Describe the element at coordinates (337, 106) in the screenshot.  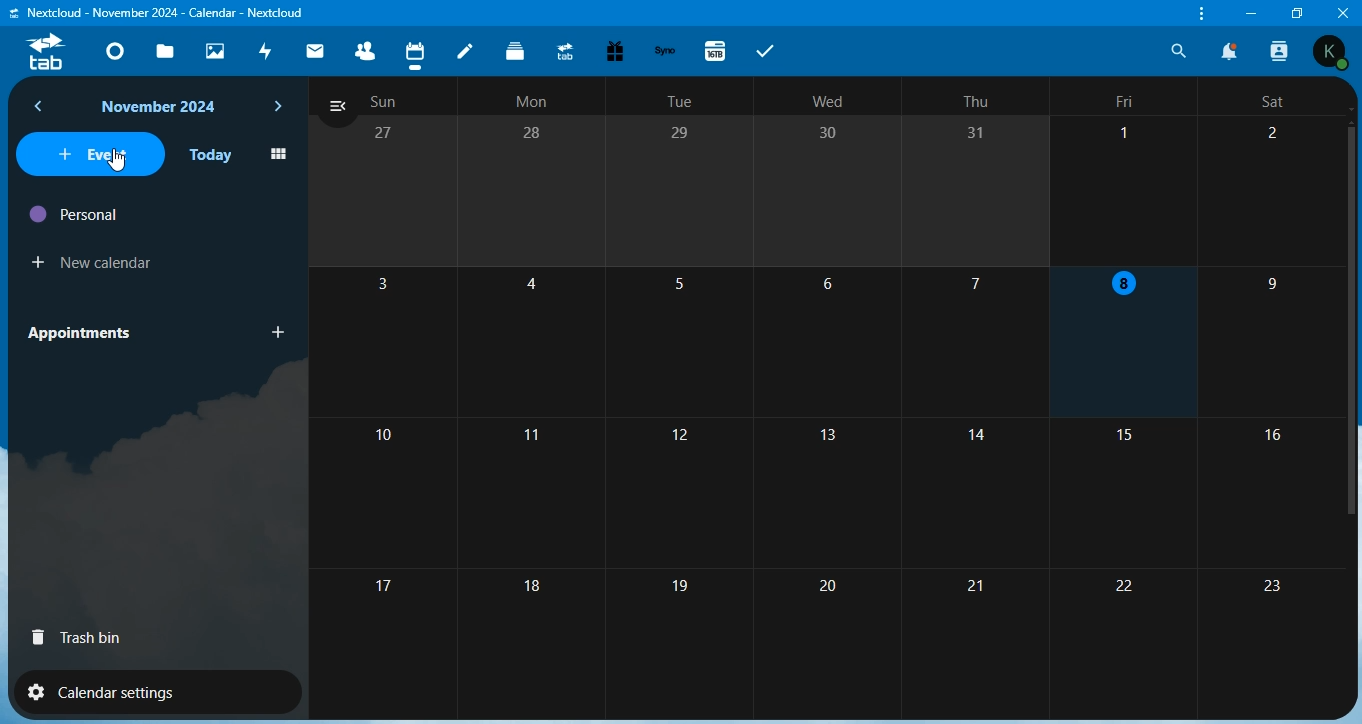
I see `close navigation` at that location.